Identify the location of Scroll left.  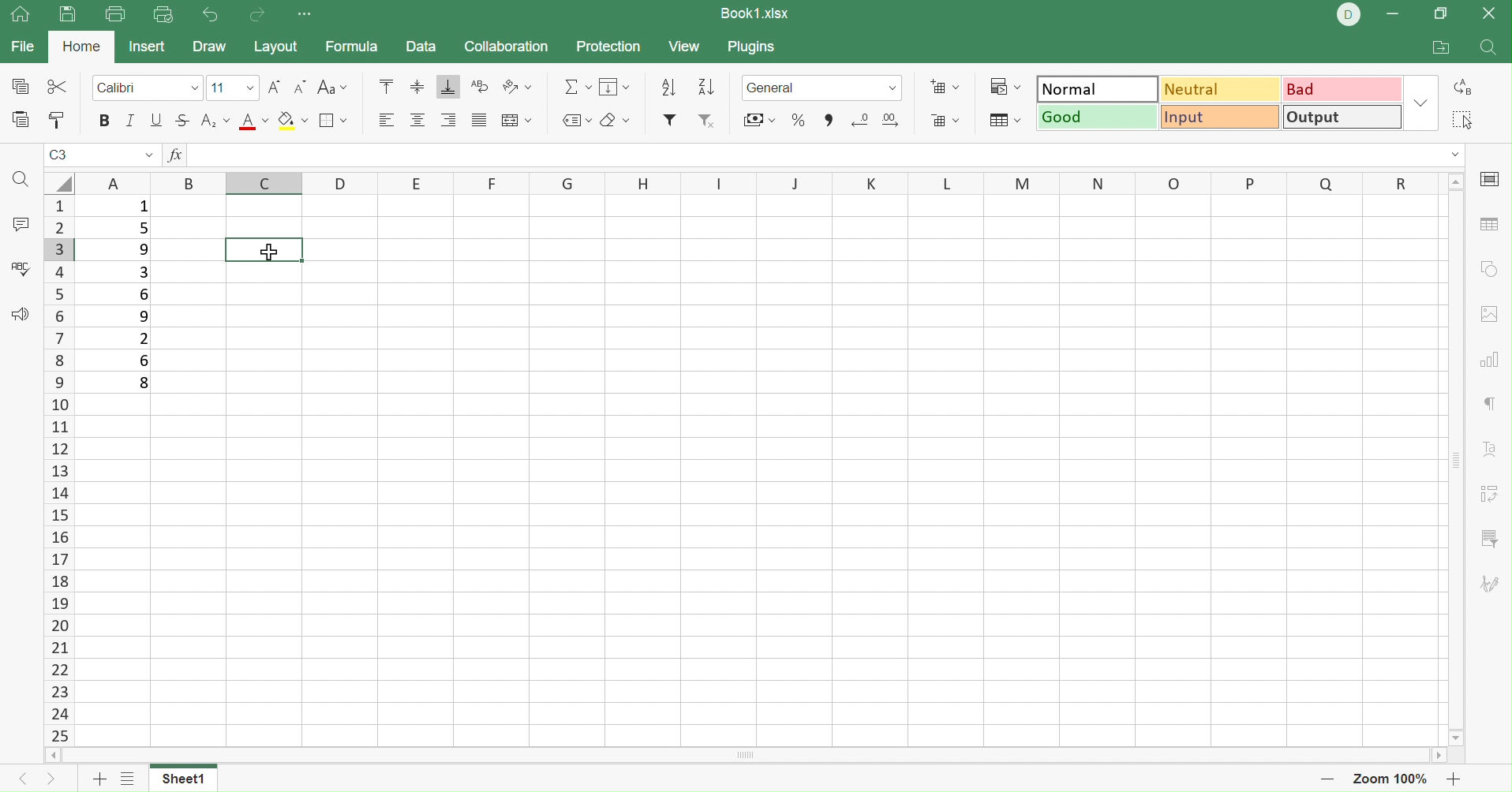
(52, 755).